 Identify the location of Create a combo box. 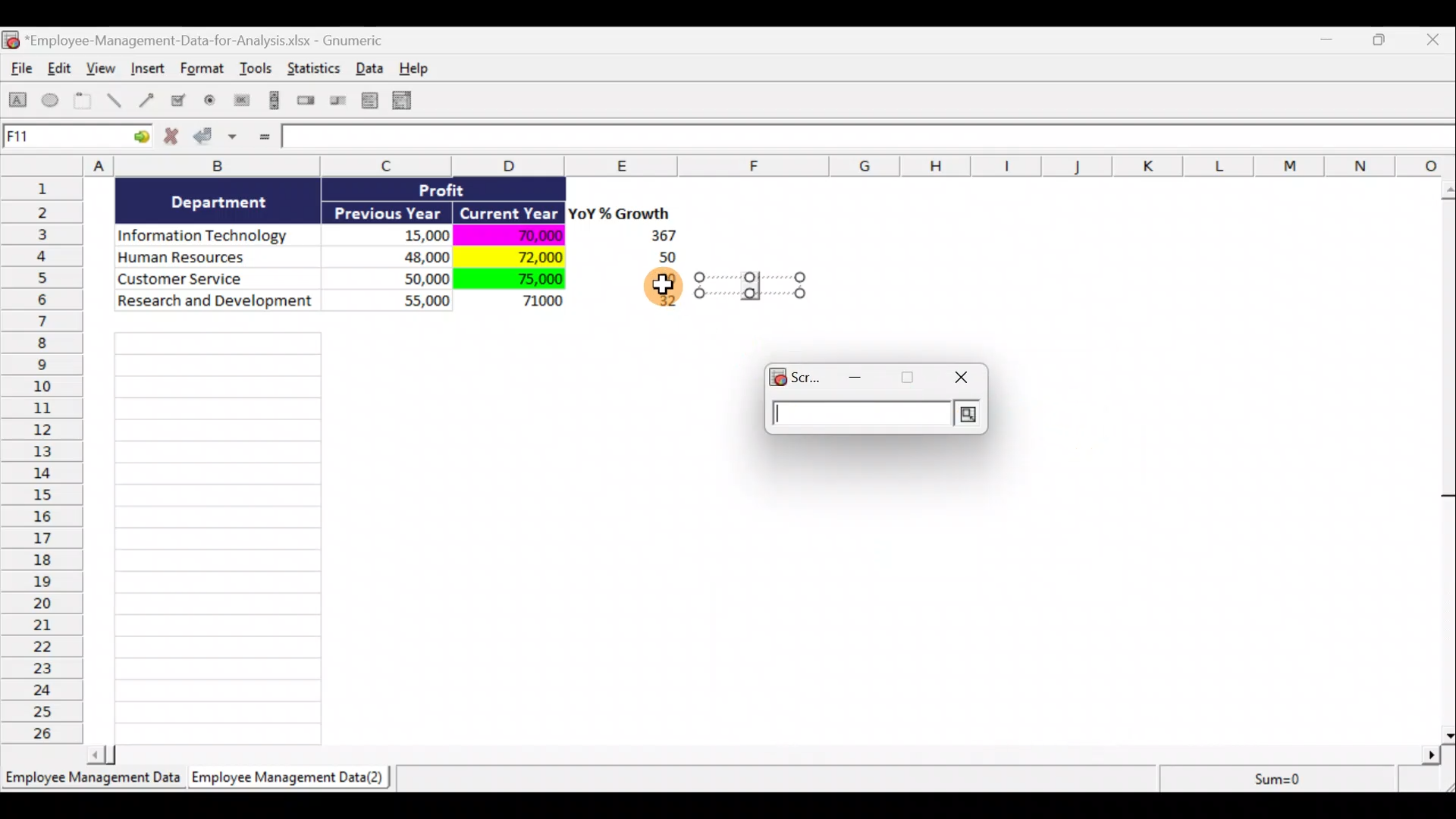
(409, 101).